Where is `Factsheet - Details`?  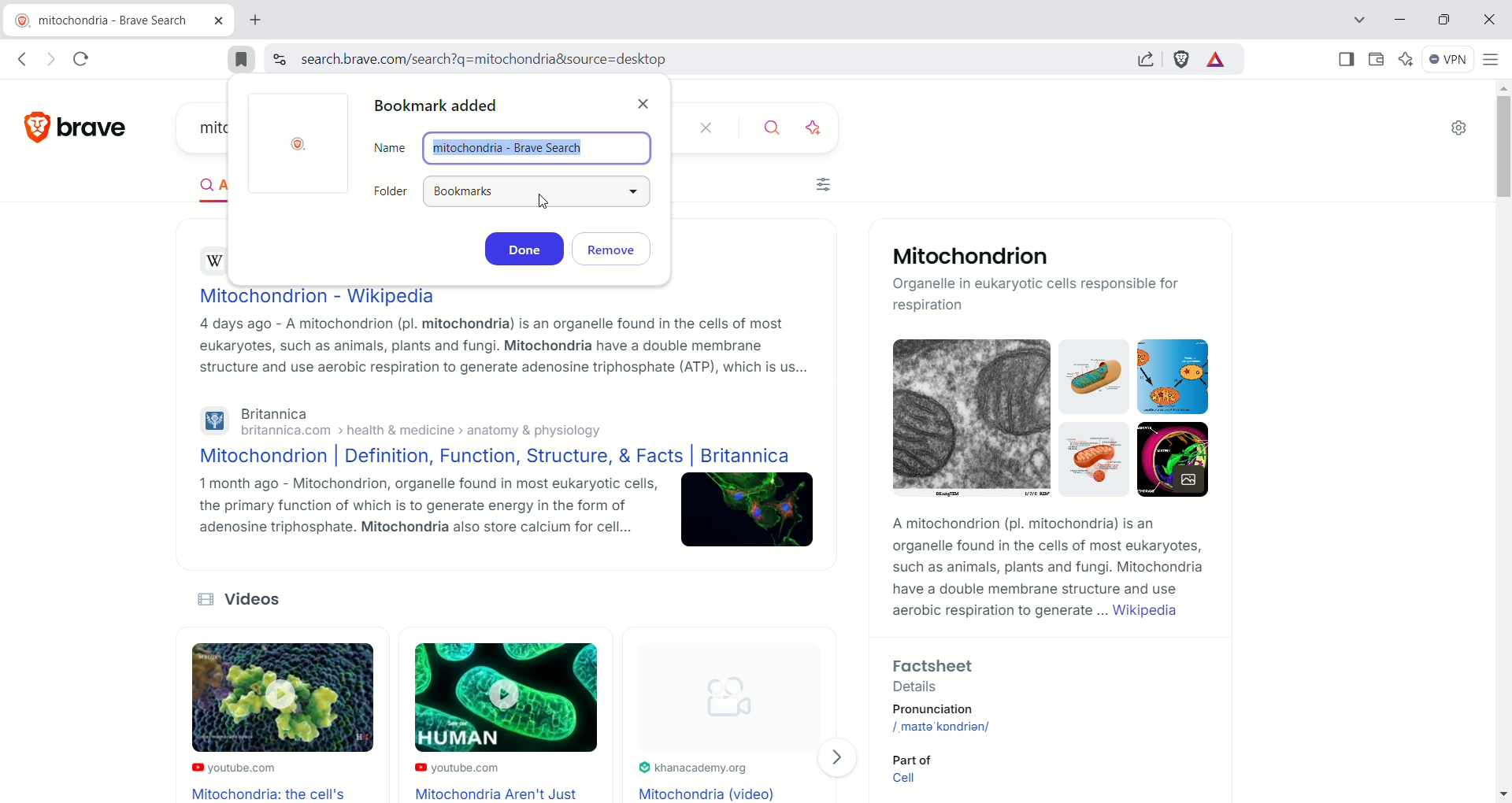
Factsheet - Details is located at coordinates (1036, 673).